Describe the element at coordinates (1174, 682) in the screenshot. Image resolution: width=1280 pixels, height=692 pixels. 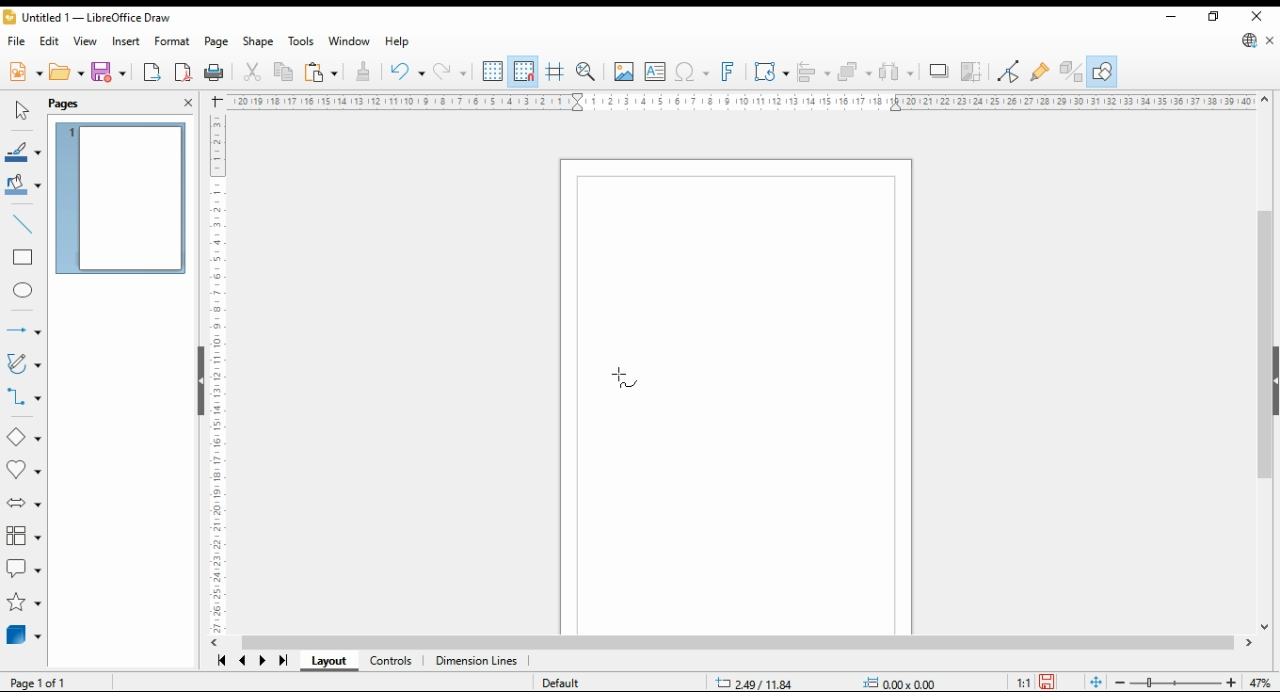
I see `zoom slider` at that location.